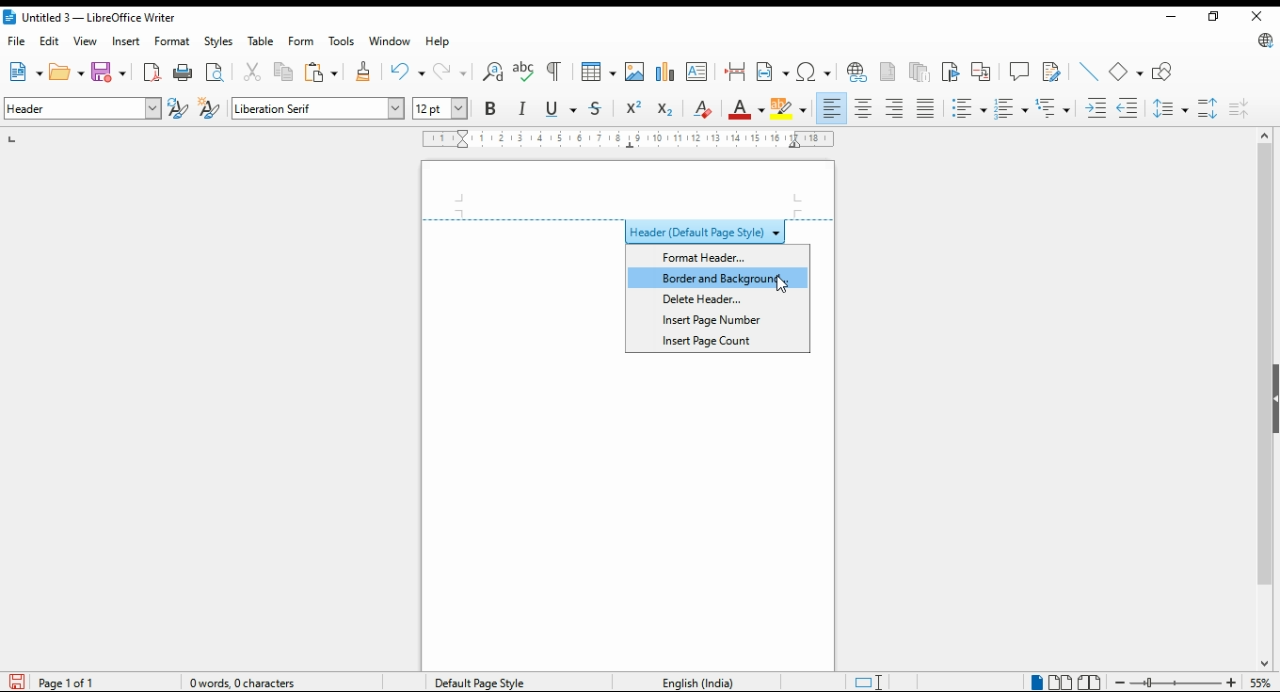  I want to click on toggle print preview, so click(216, 70).